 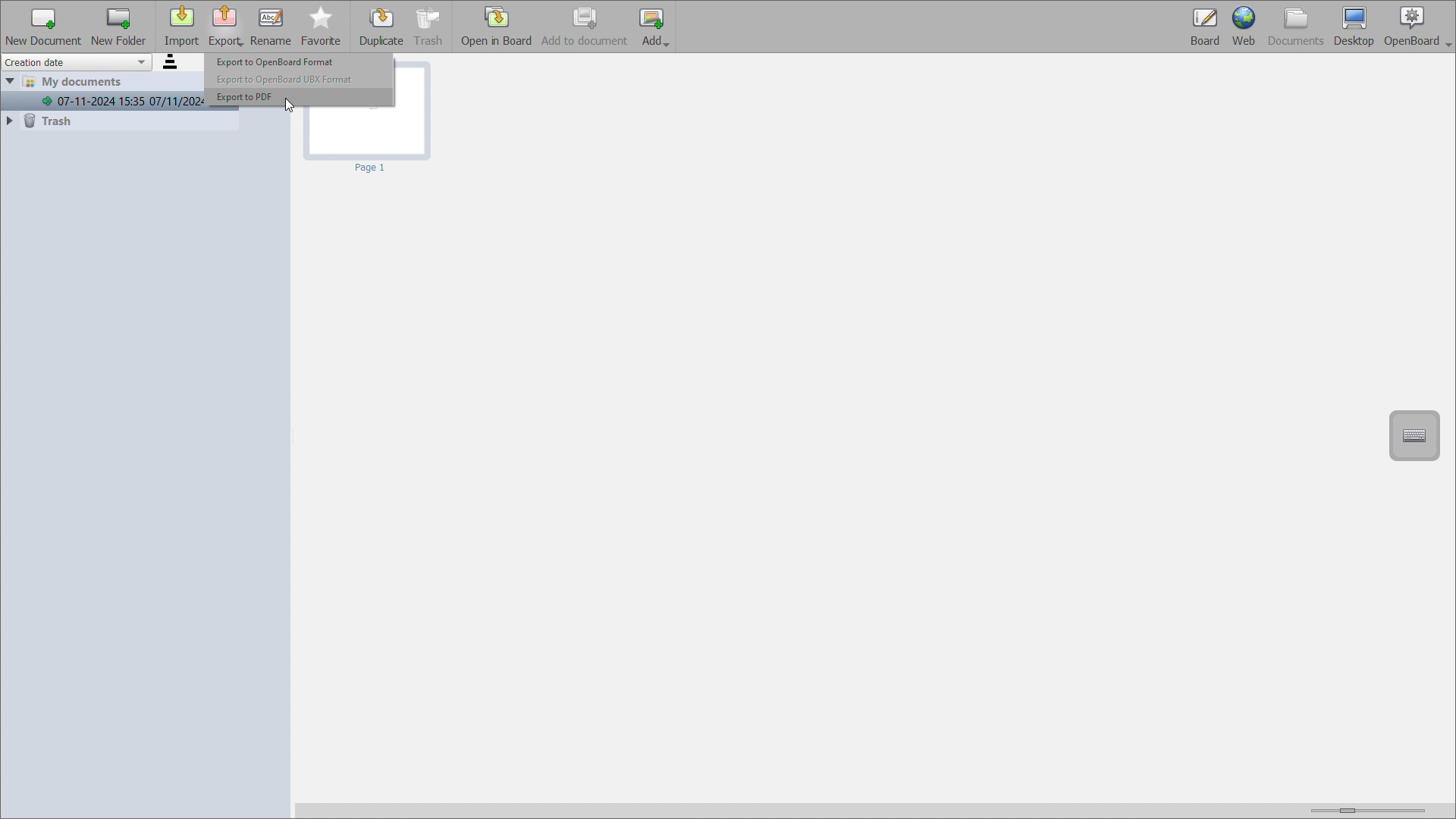 I want to click on export to pdf, so click(x=301, y=97).